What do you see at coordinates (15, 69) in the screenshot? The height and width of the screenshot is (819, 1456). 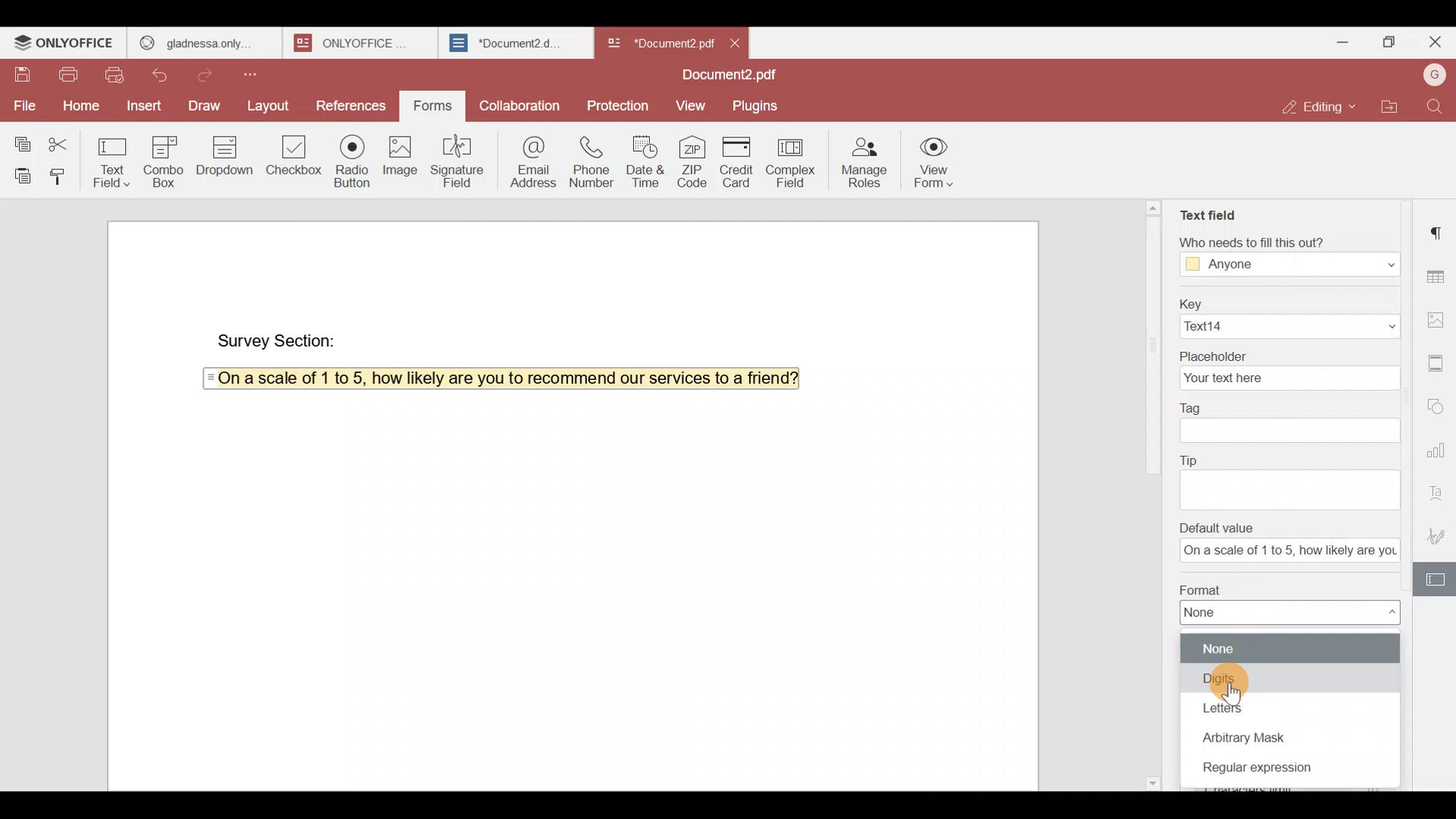 I see `Save` at bounding box center [15, 69].